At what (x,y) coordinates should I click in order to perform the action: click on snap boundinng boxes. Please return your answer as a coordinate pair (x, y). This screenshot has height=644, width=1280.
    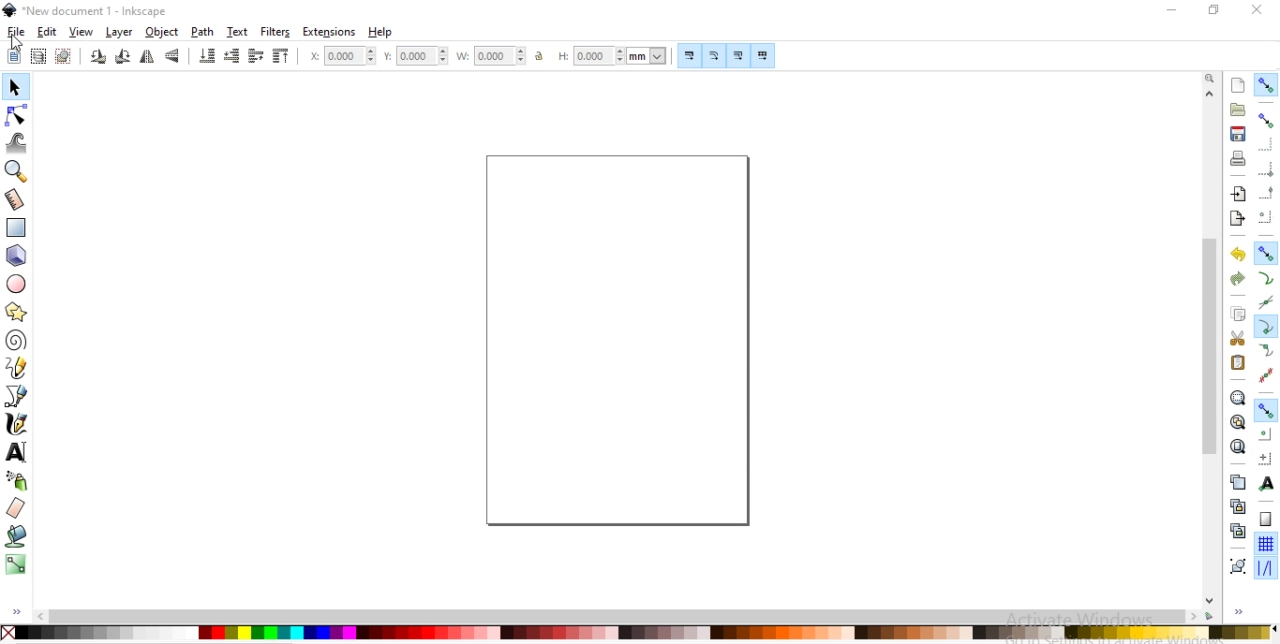
    Looking at the image, I should click on (1265, 121).